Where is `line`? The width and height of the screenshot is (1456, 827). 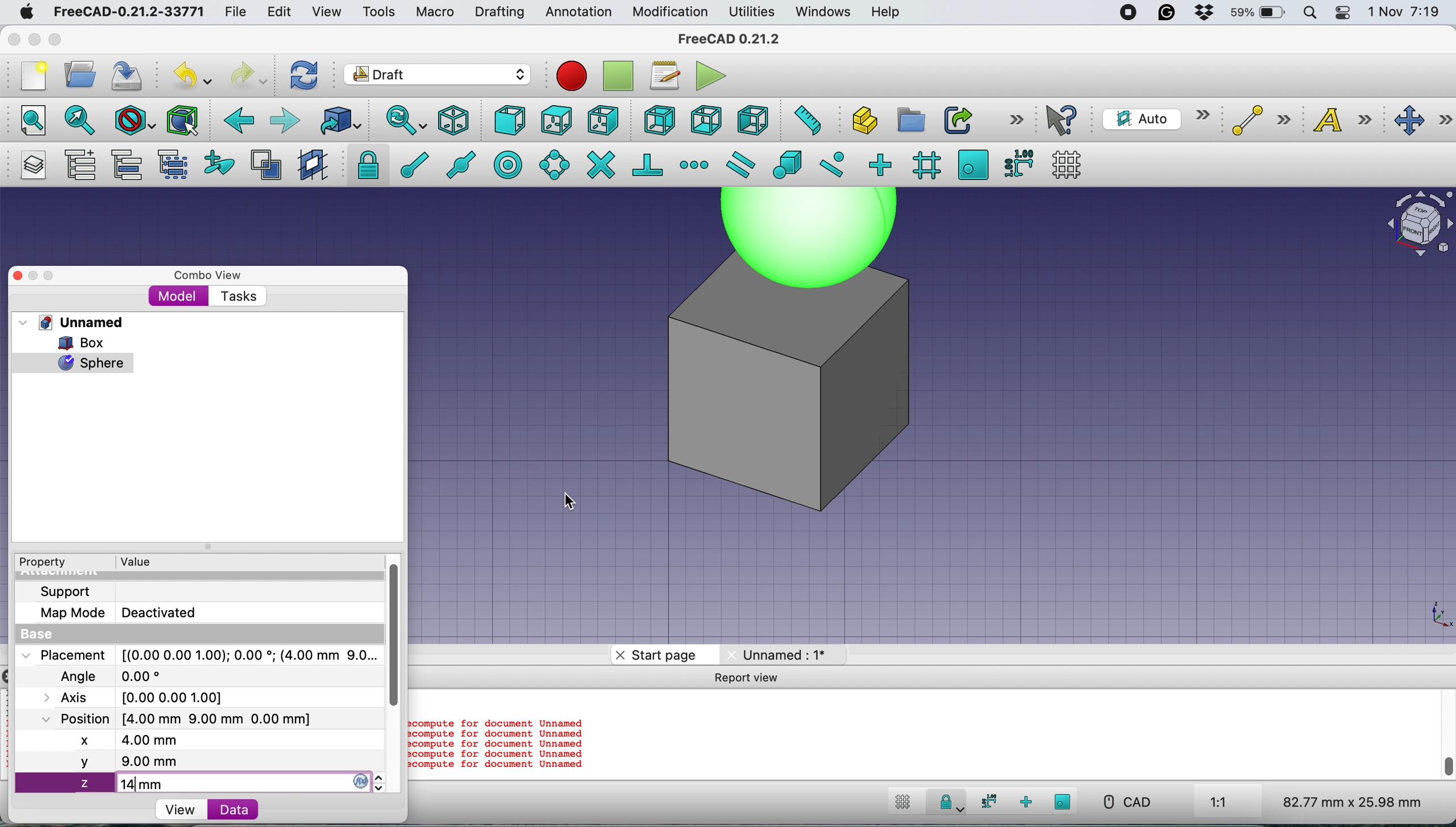
line is located at coordinates (1258, 120).